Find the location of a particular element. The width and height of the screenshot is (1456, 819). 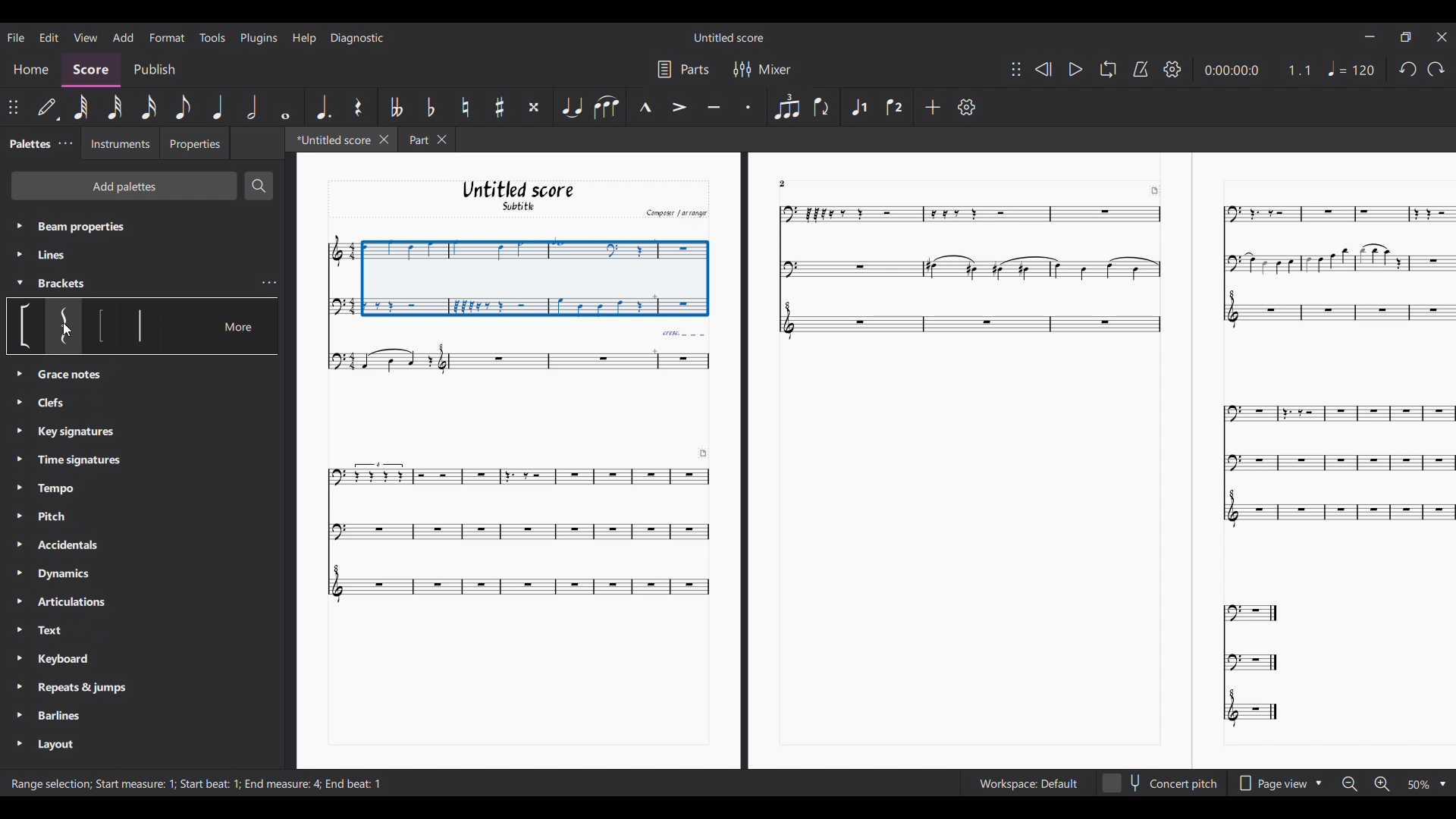

Tempo is located at coordinates (1354, 68).